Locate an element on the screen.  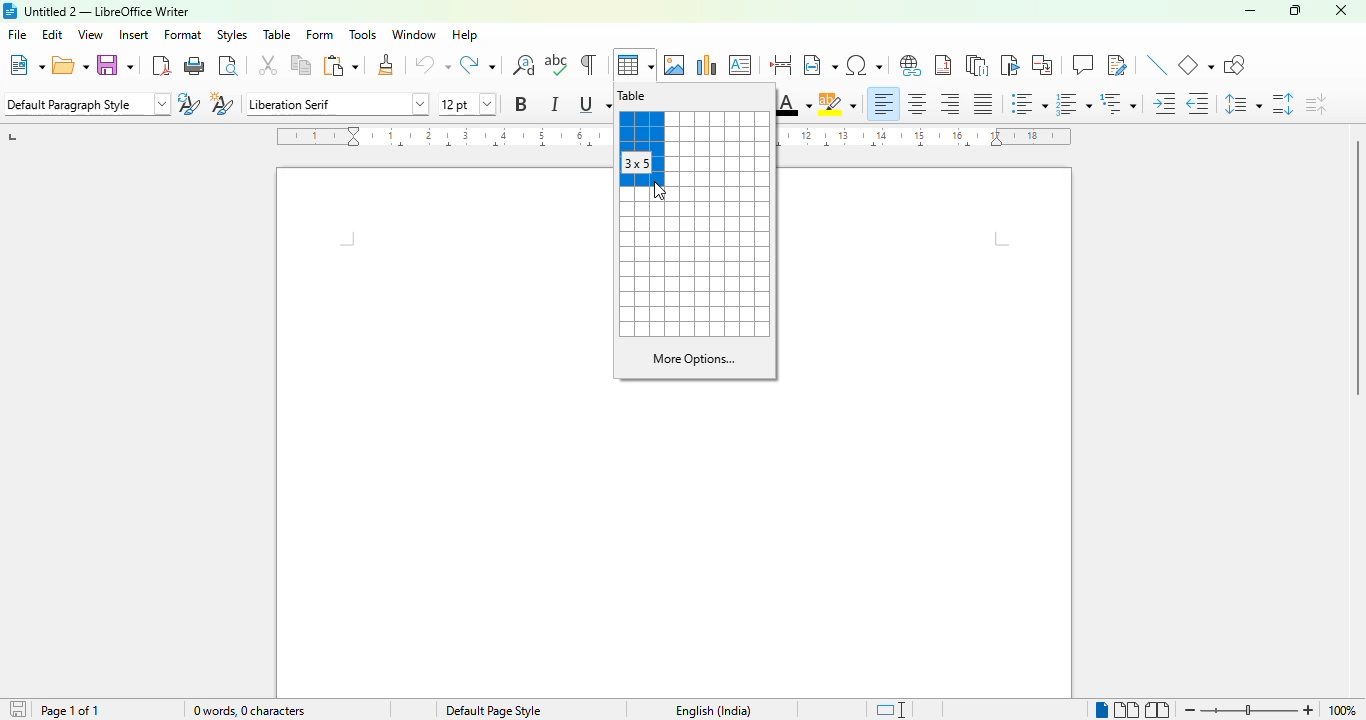
find and replace is located at coordinates (524, 64).